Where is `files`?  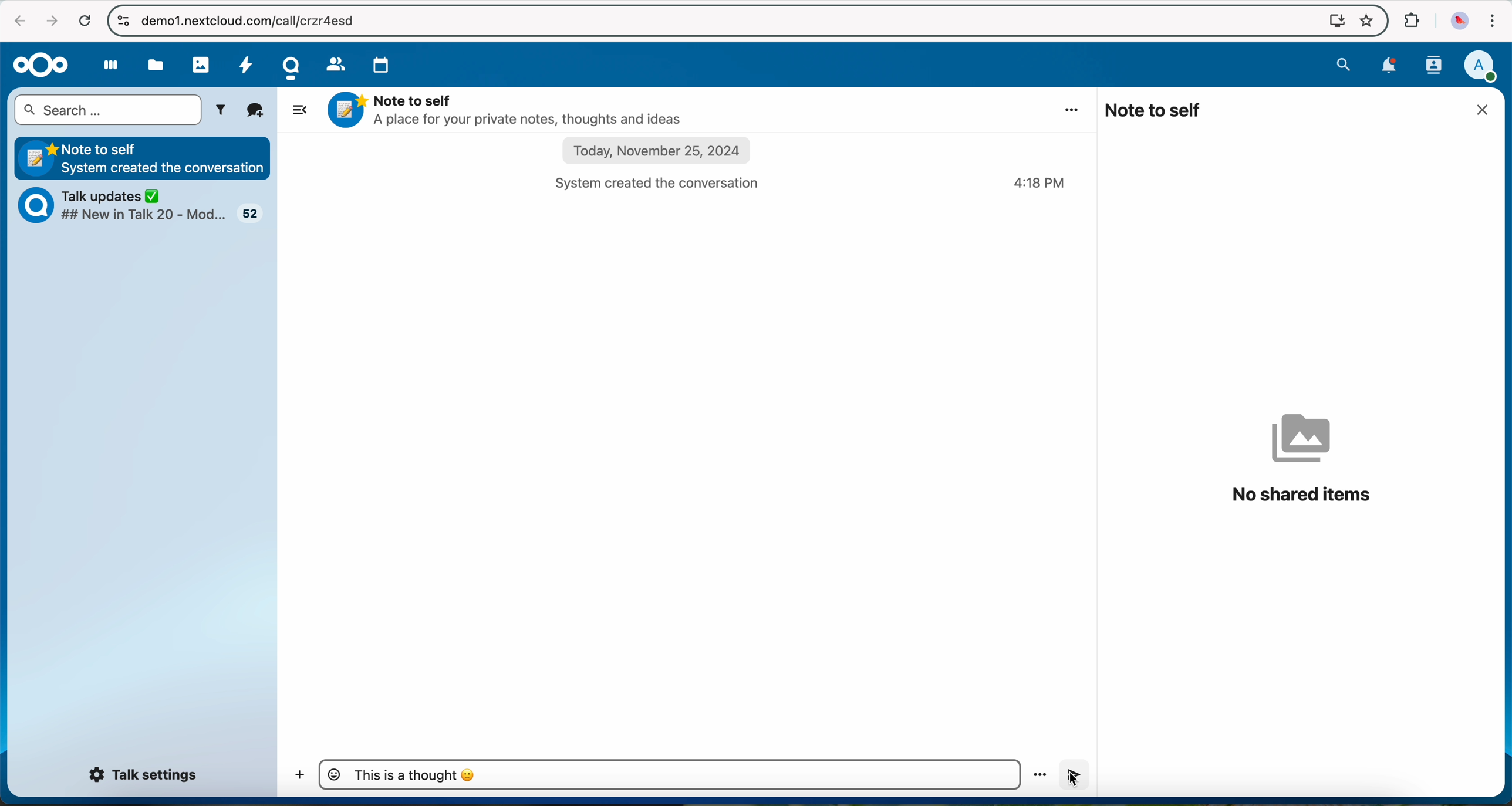
files is located at coordinates (157, 65).